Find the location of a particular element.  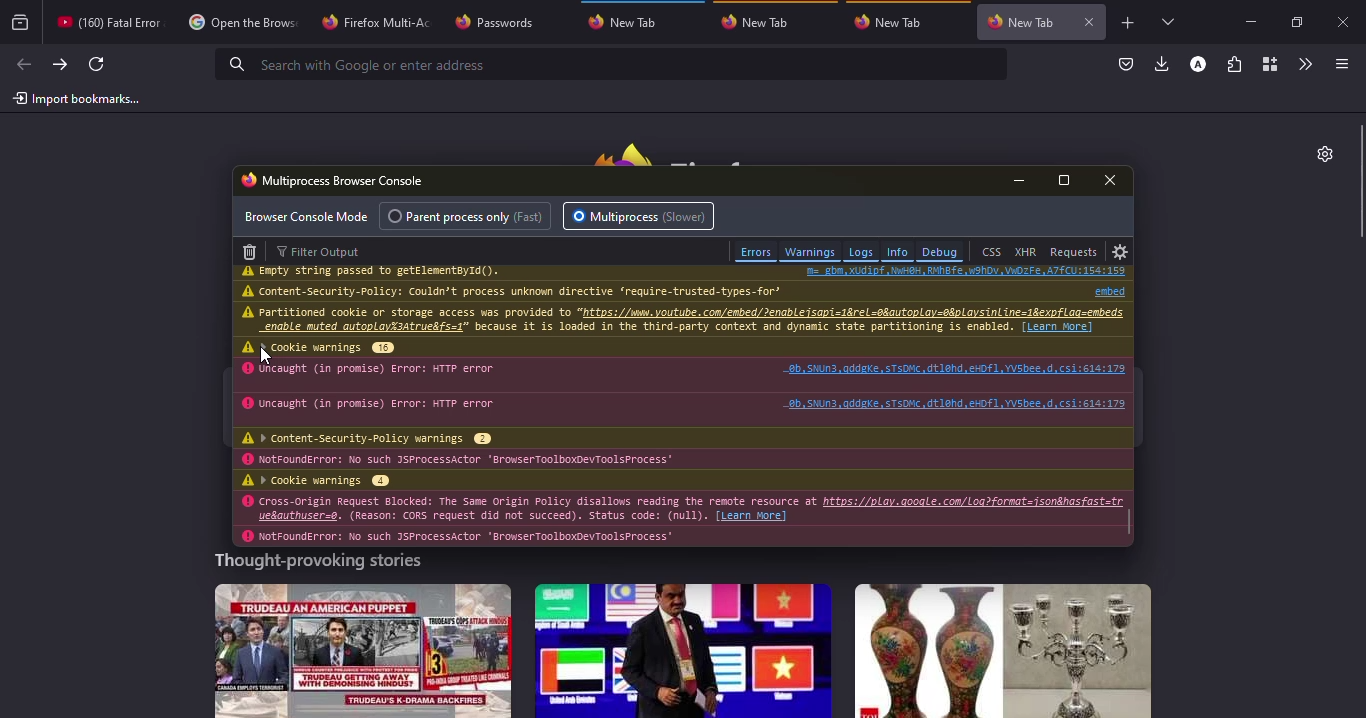

close is located at coordinates (1091, 22).